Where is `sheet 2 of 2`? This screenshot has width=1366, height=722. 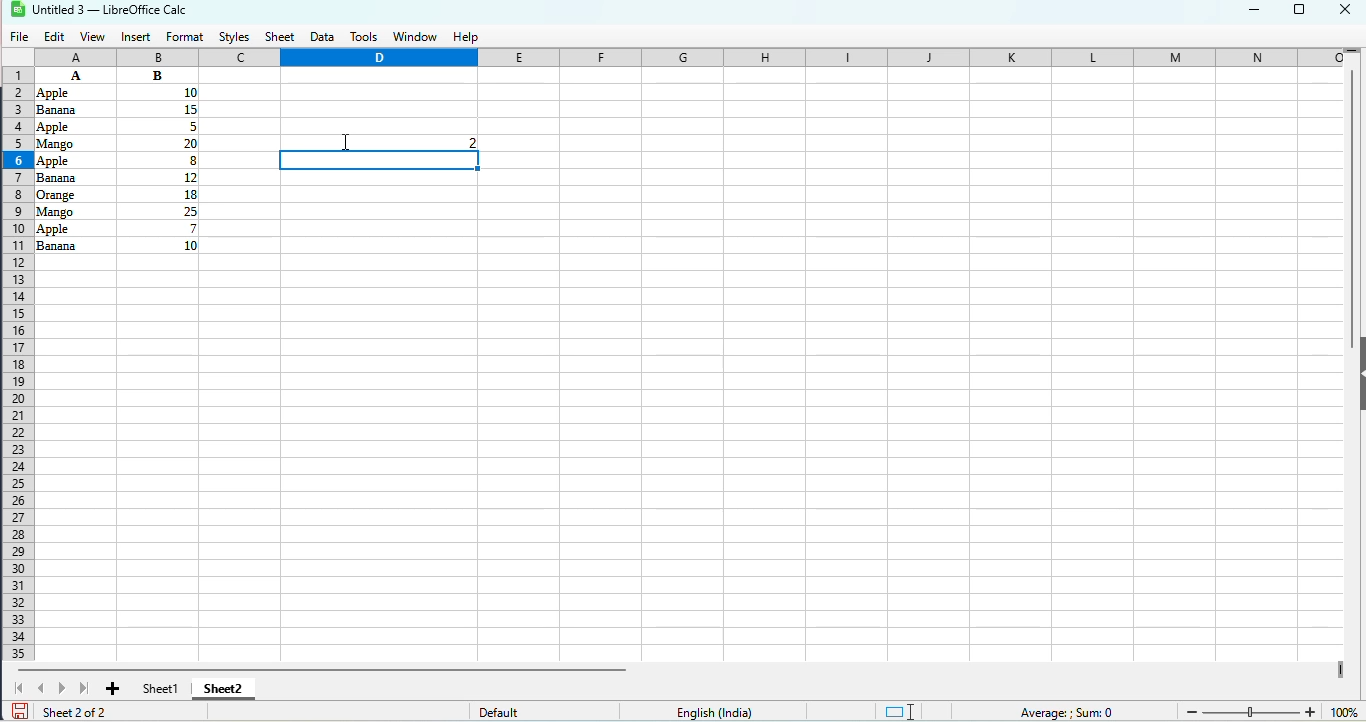
sheet 2 of 2 is located at coordinates (73, 712).